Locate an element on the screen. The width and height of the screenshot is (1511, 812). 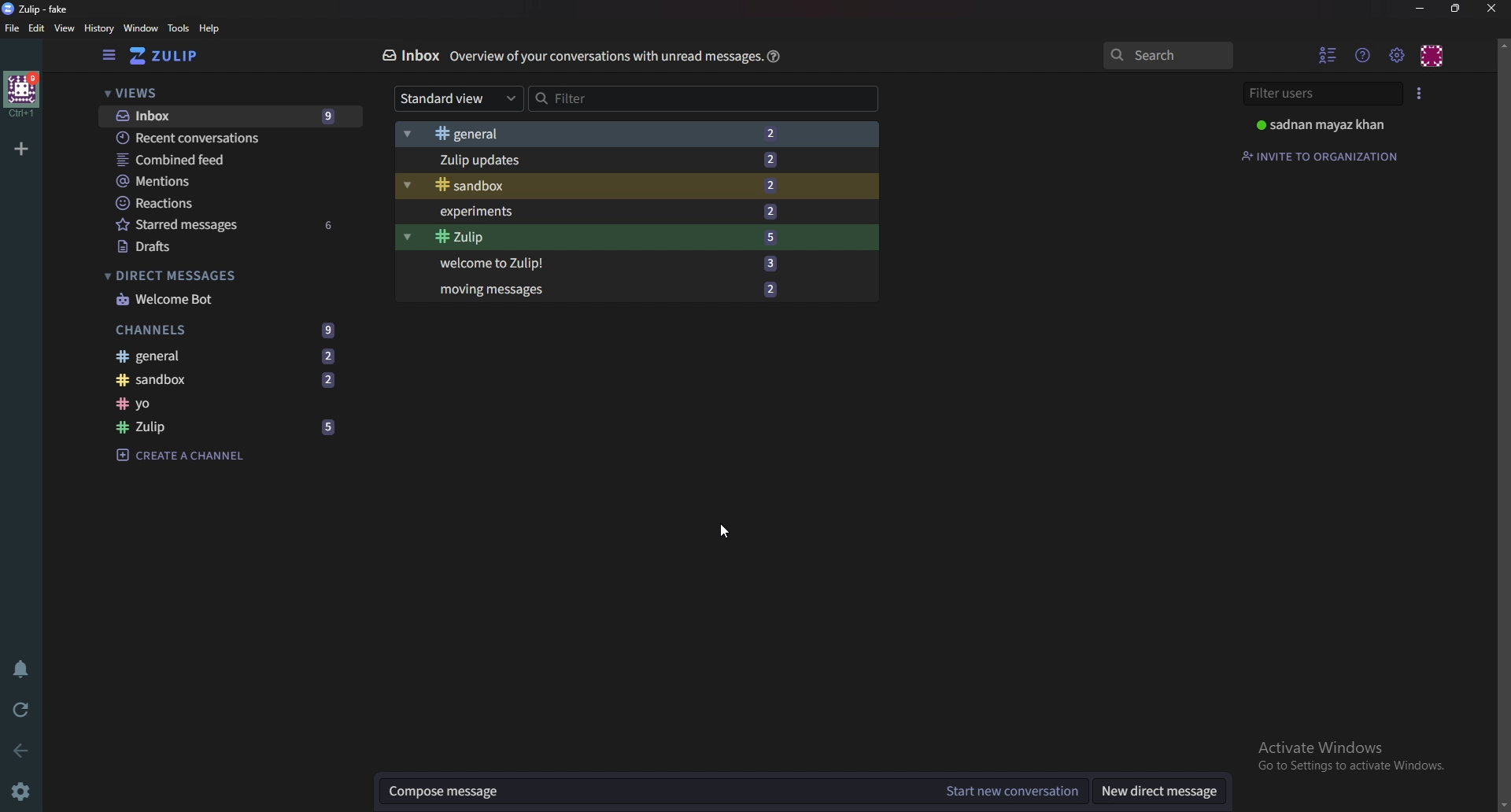
Hide user list is located at coordinates (1327, 55).